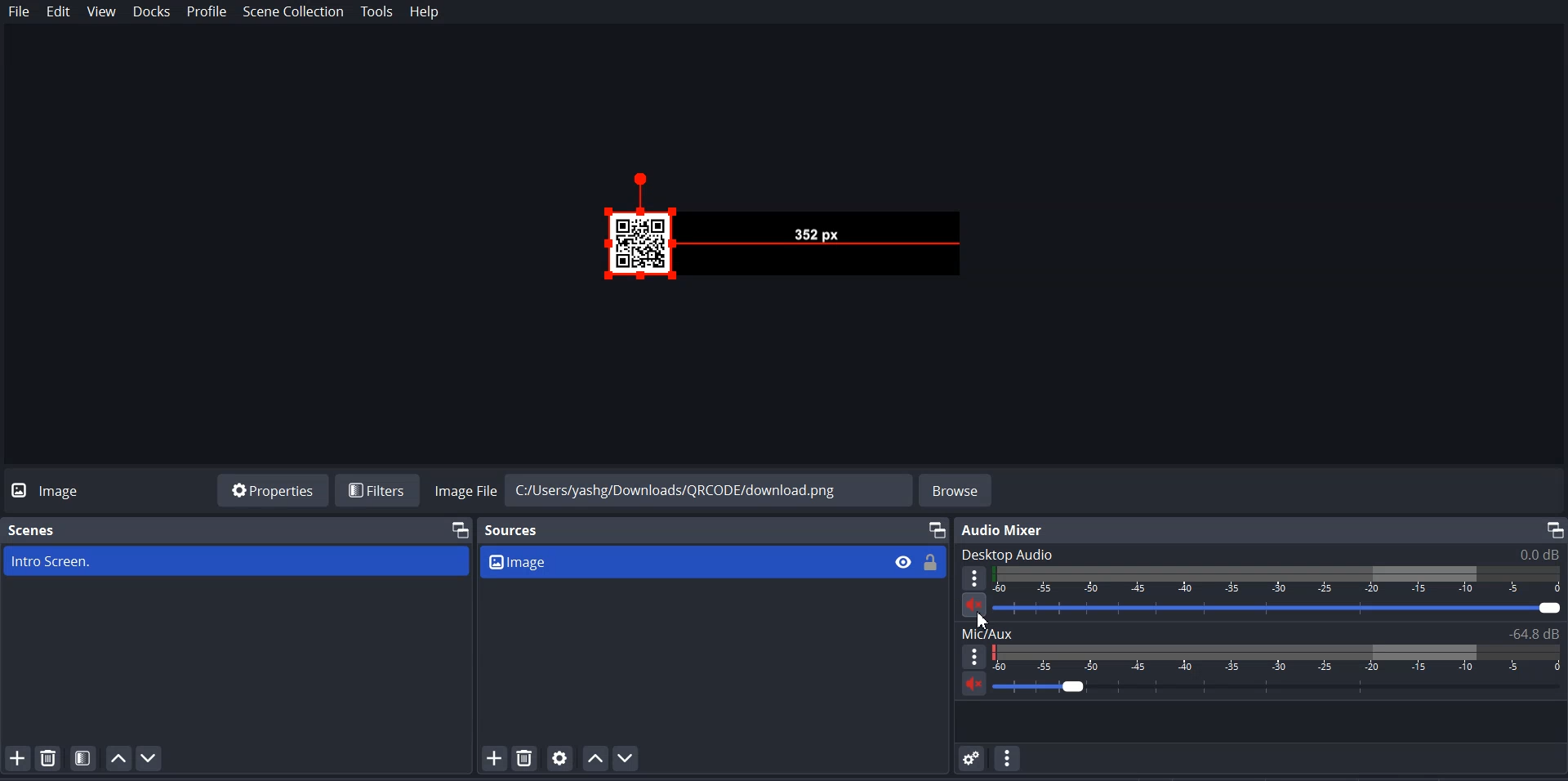 This screenshot has width=1568, height=781. Describe the element at coordinates (19, 11) in the screenshot. I see `File` at that location.